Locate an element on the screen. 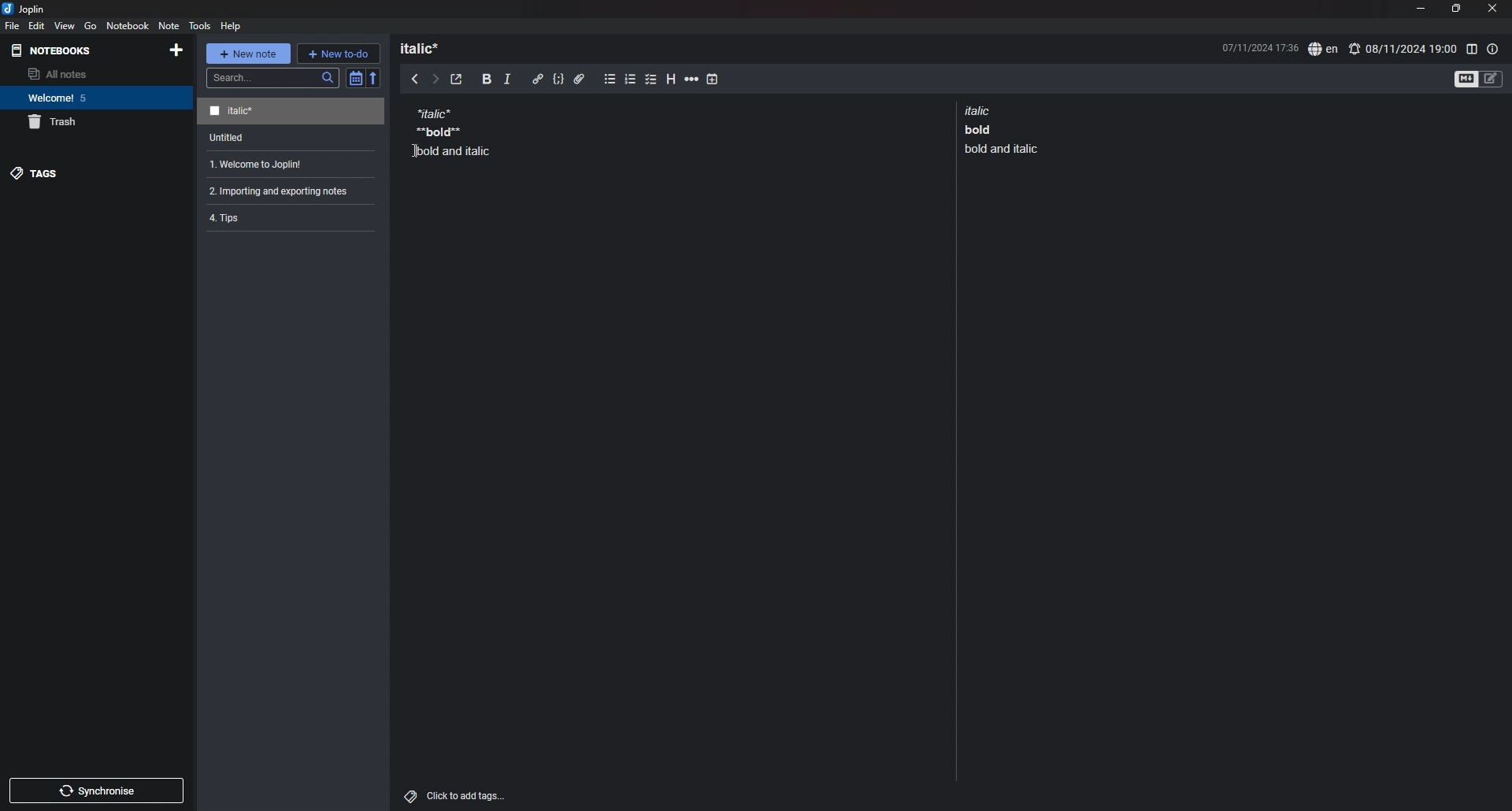 The height and width of the screenshot is (811, 1512). add notebook is located at coordinates (175, 50).